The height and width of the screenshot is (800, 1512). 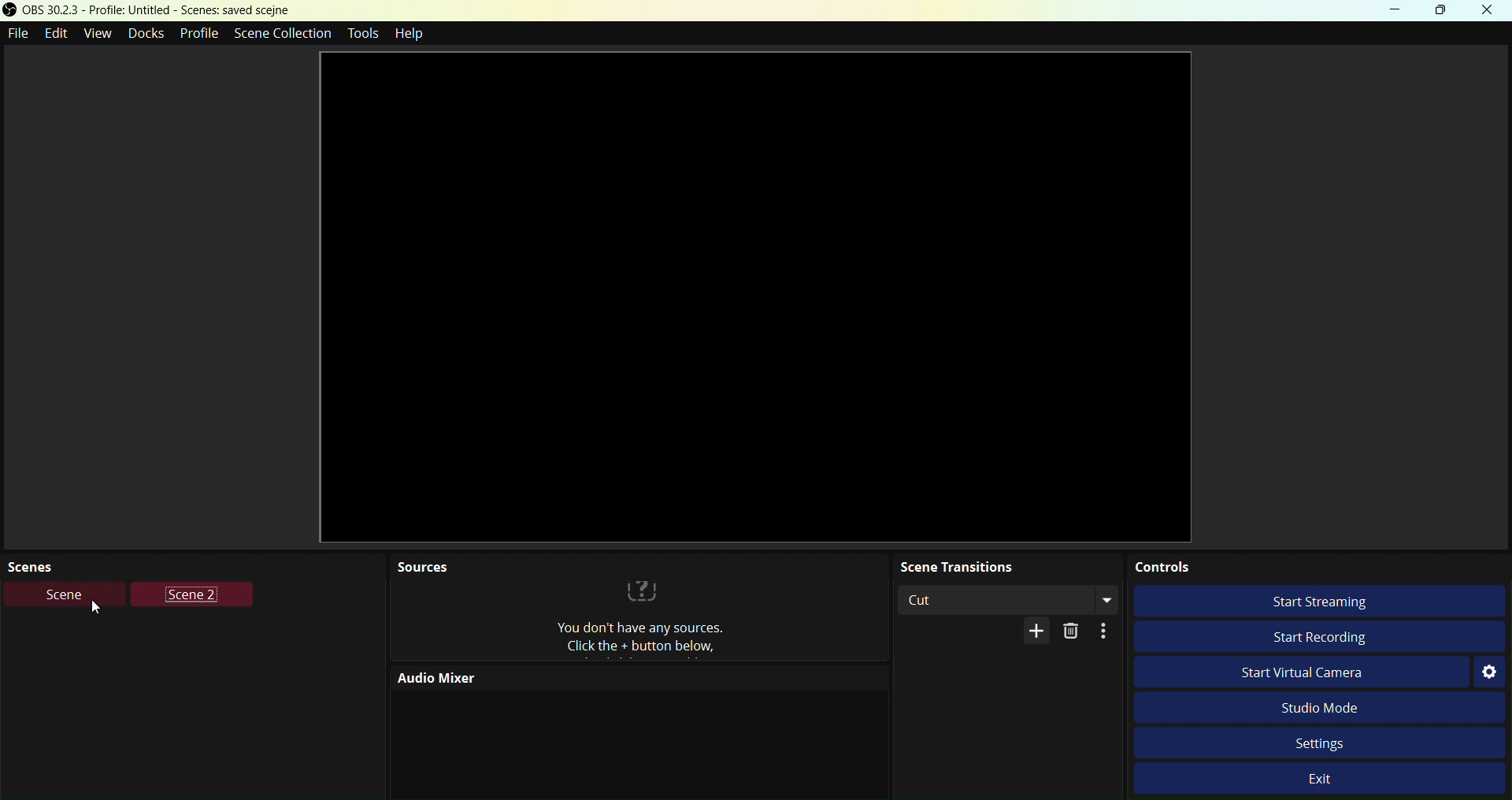 I want to click on Minimize, so click(x=1396, y=12).